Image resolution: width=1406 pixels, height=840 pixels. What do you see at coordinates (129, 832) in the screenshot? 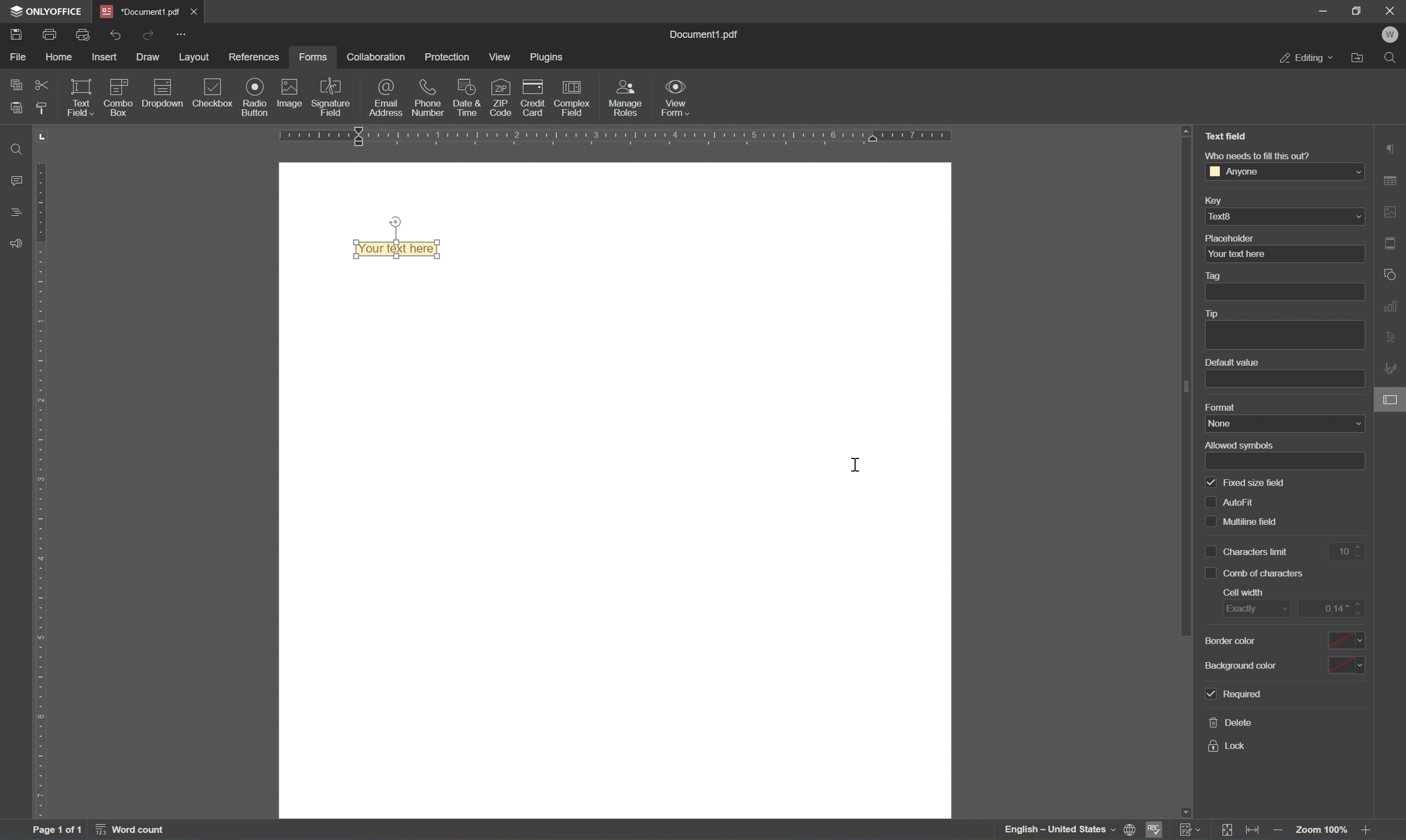
I see `word count` at bounding box center [129, 832].